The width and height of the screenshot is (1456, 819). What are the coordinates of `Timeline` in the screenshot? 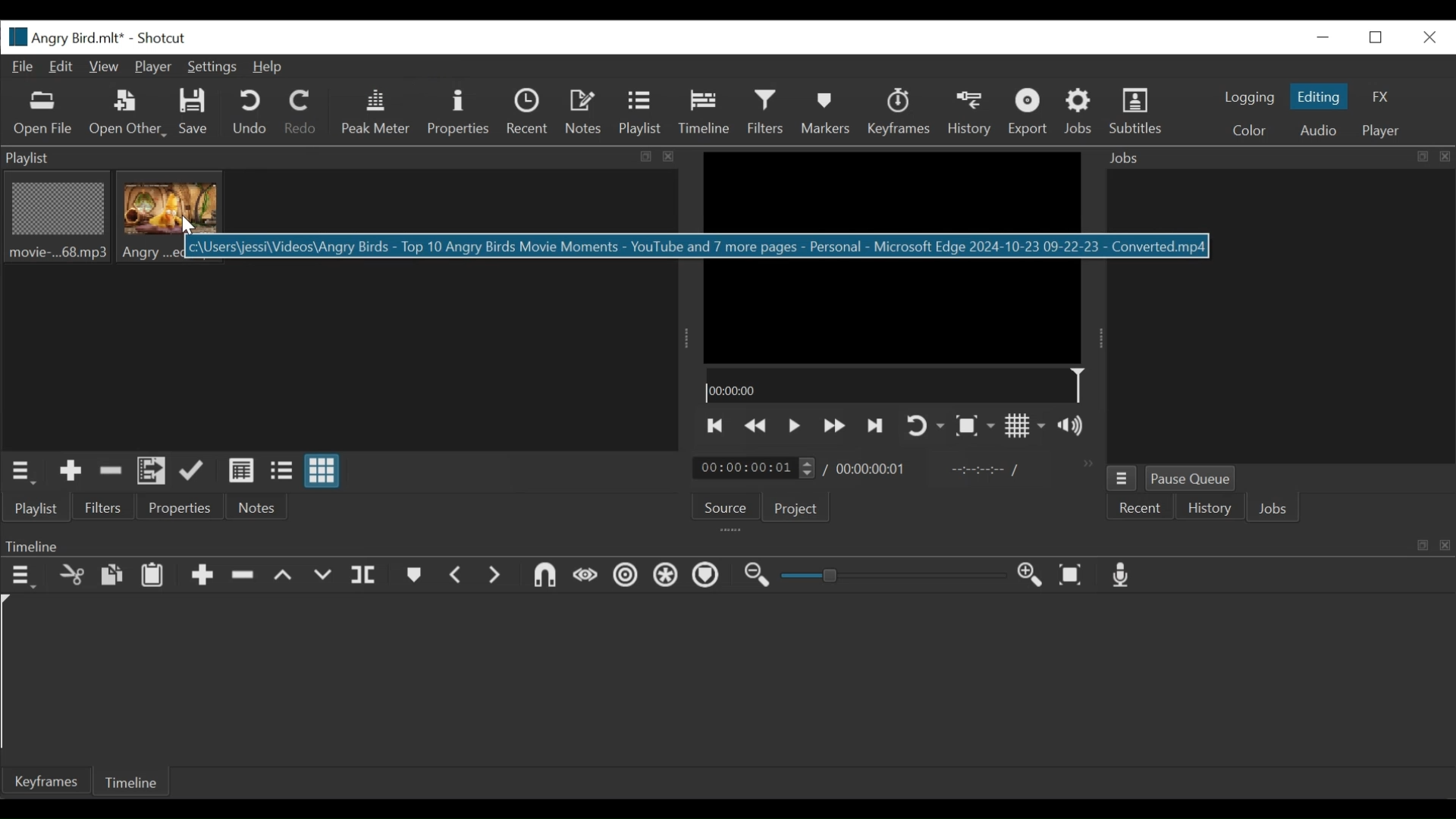 It's located at (704, 113).